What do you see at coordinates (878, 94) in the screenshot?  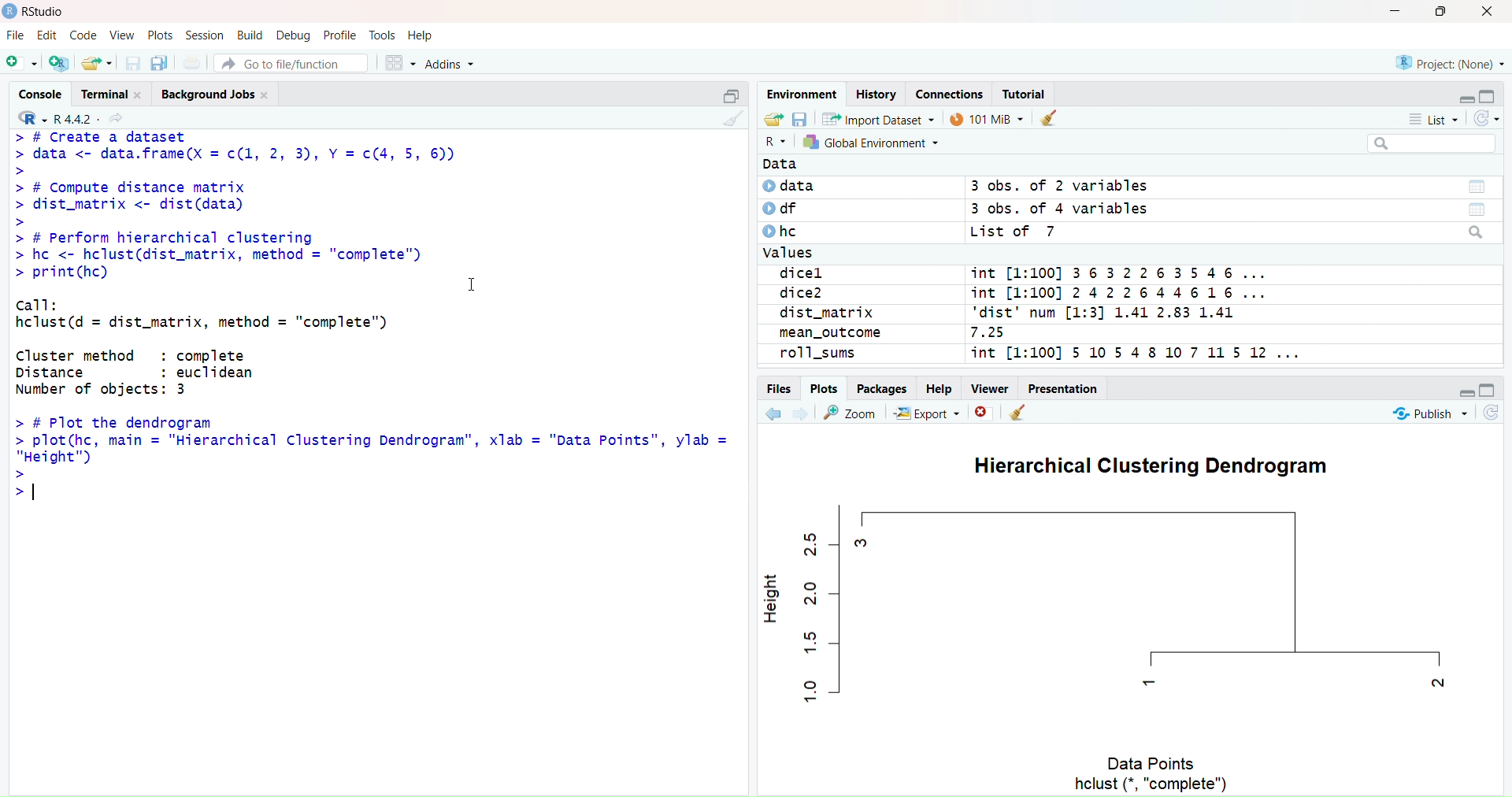 I see `History` at bounding box center [878, 94].